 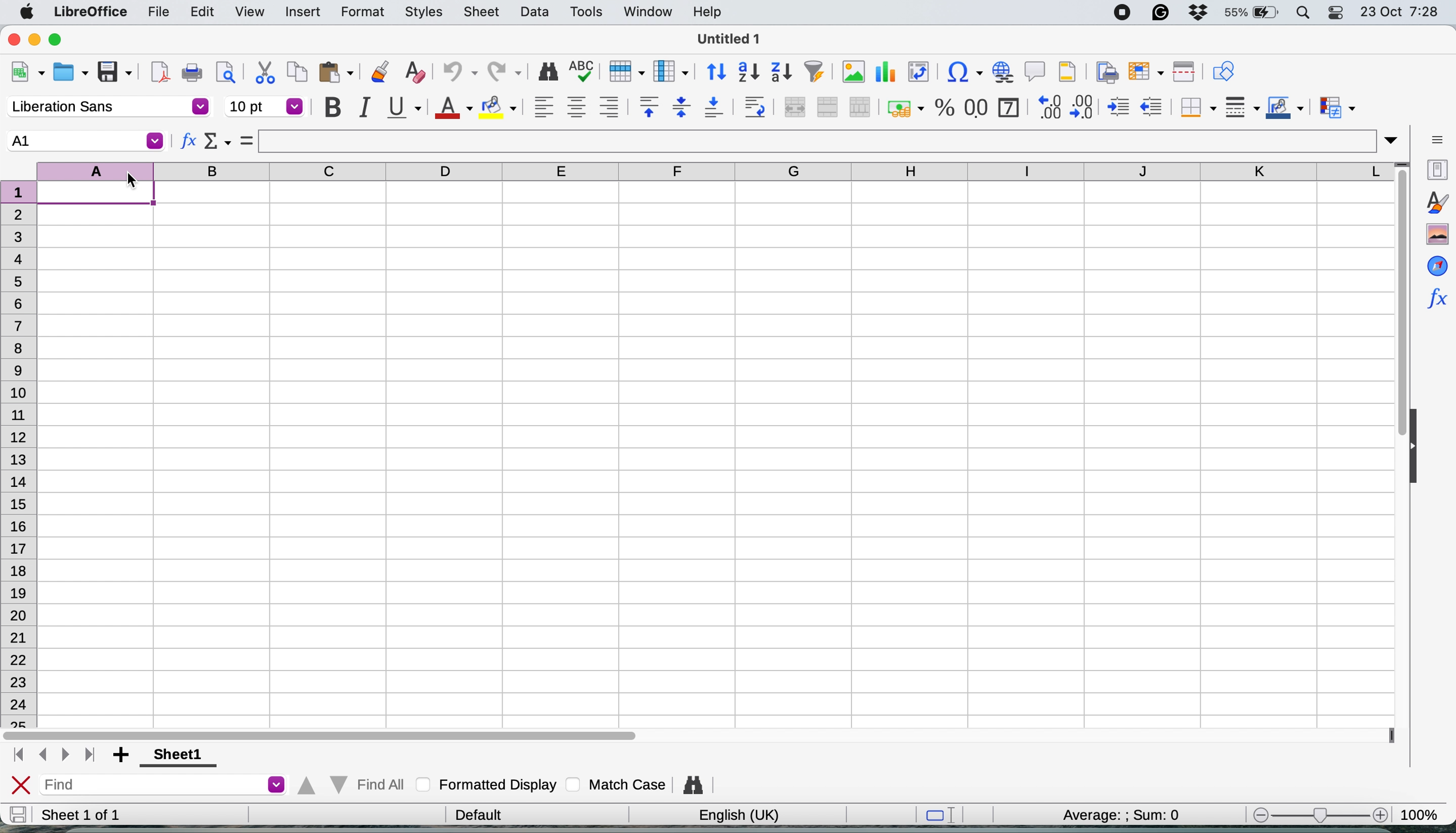 What do you see at coordinates (1160, 13) in the screenshot?
I see `grammarly` at bounding box center [1160, 13].